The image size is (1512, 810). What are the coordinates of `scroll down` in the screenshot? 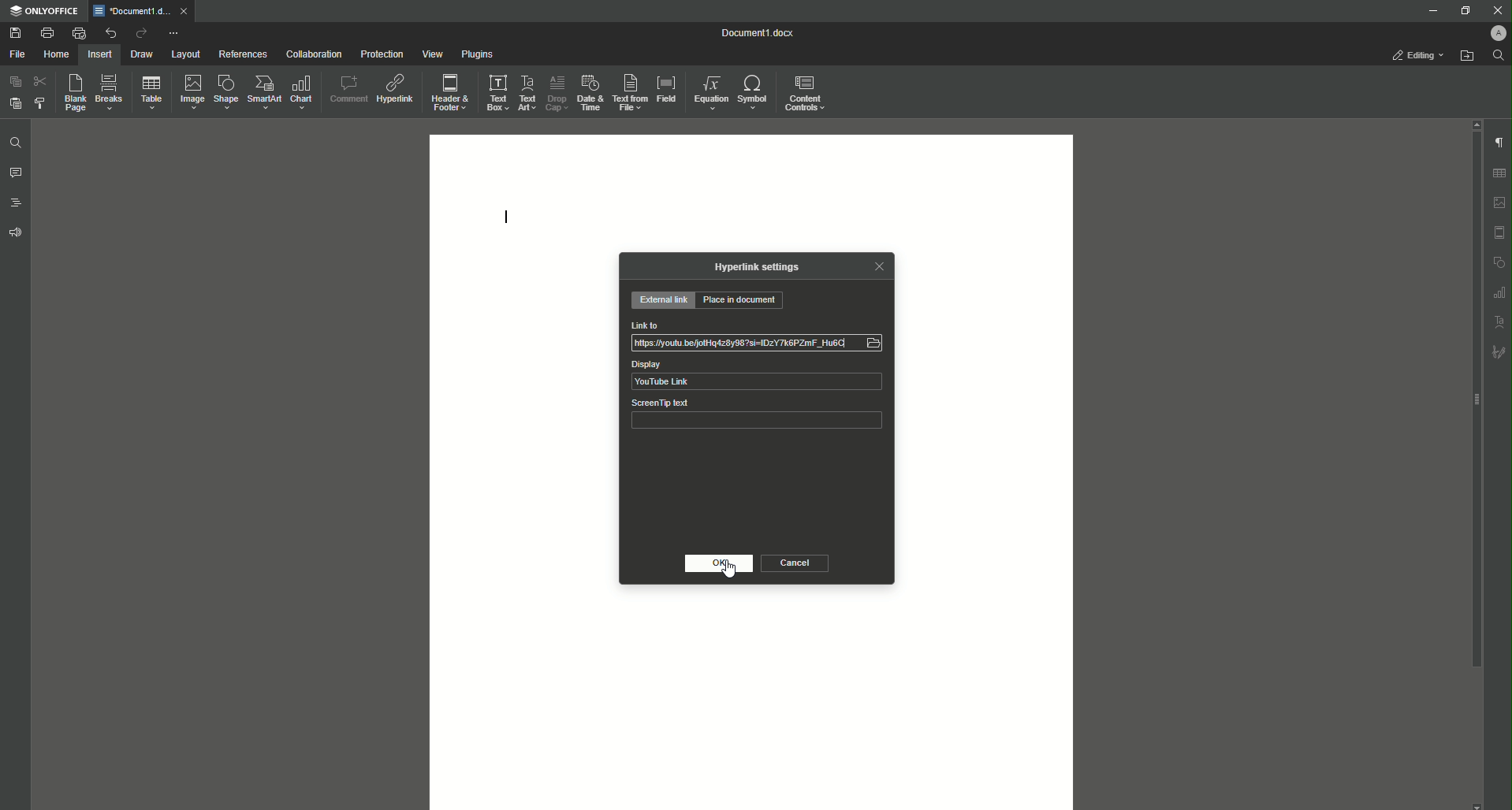 It's located at (1478, 805).